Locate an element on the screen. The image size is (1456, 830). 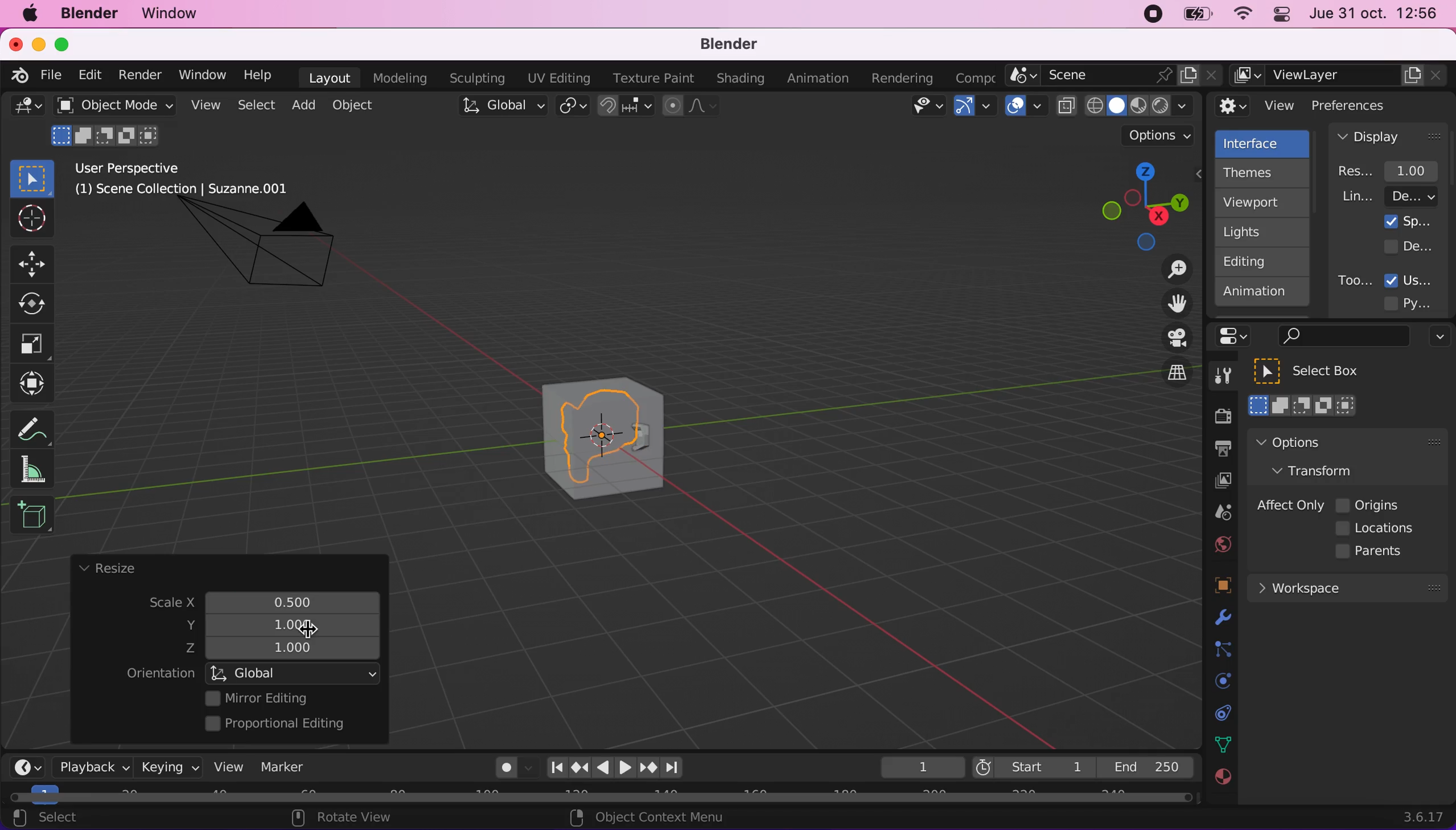
locations is located at coordinates (1378, 528).